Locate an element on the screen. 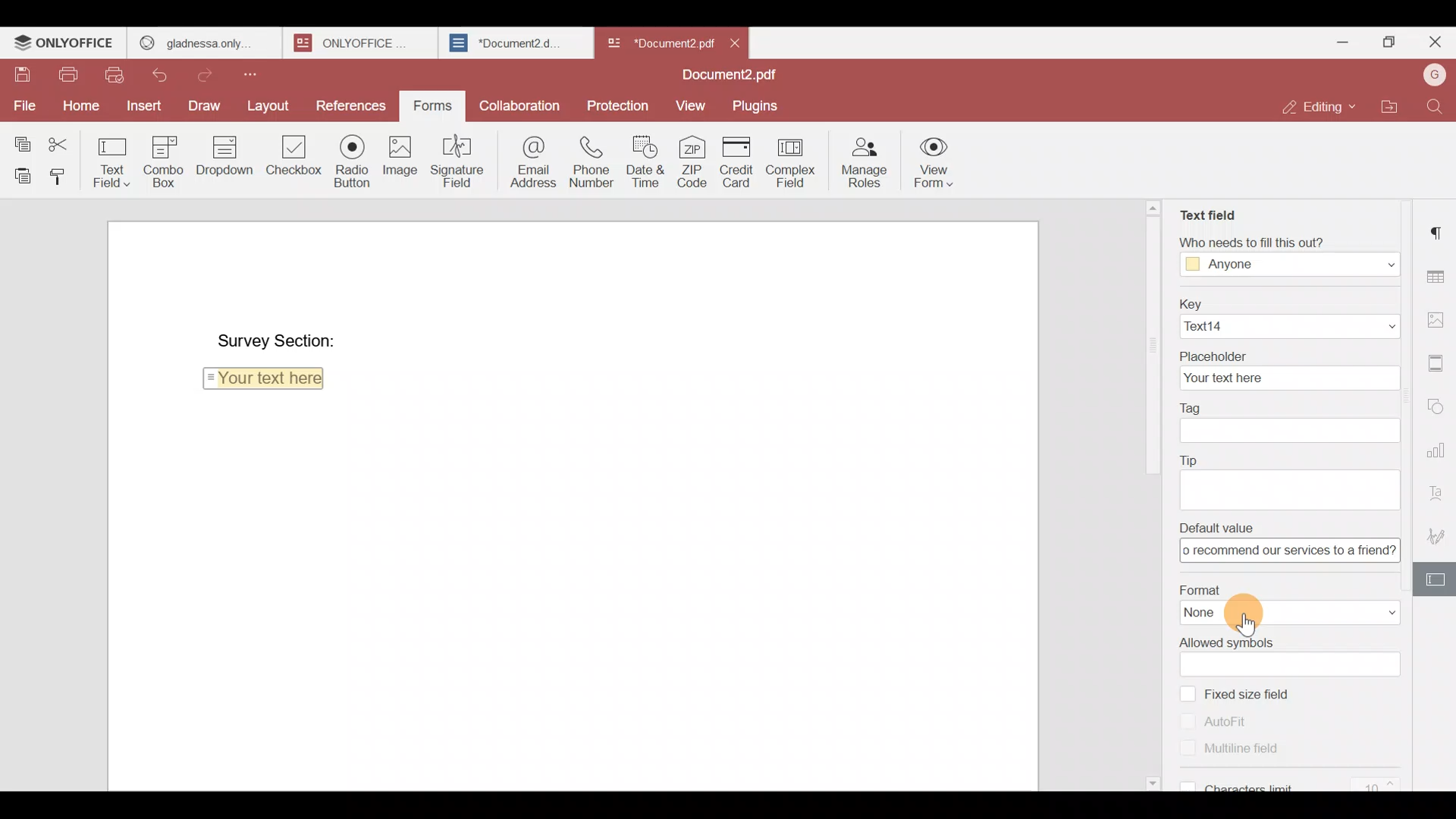 Image resolution: width=1456 pixels, height=819 pixels. Your text here is located at coordinates (267, 381).